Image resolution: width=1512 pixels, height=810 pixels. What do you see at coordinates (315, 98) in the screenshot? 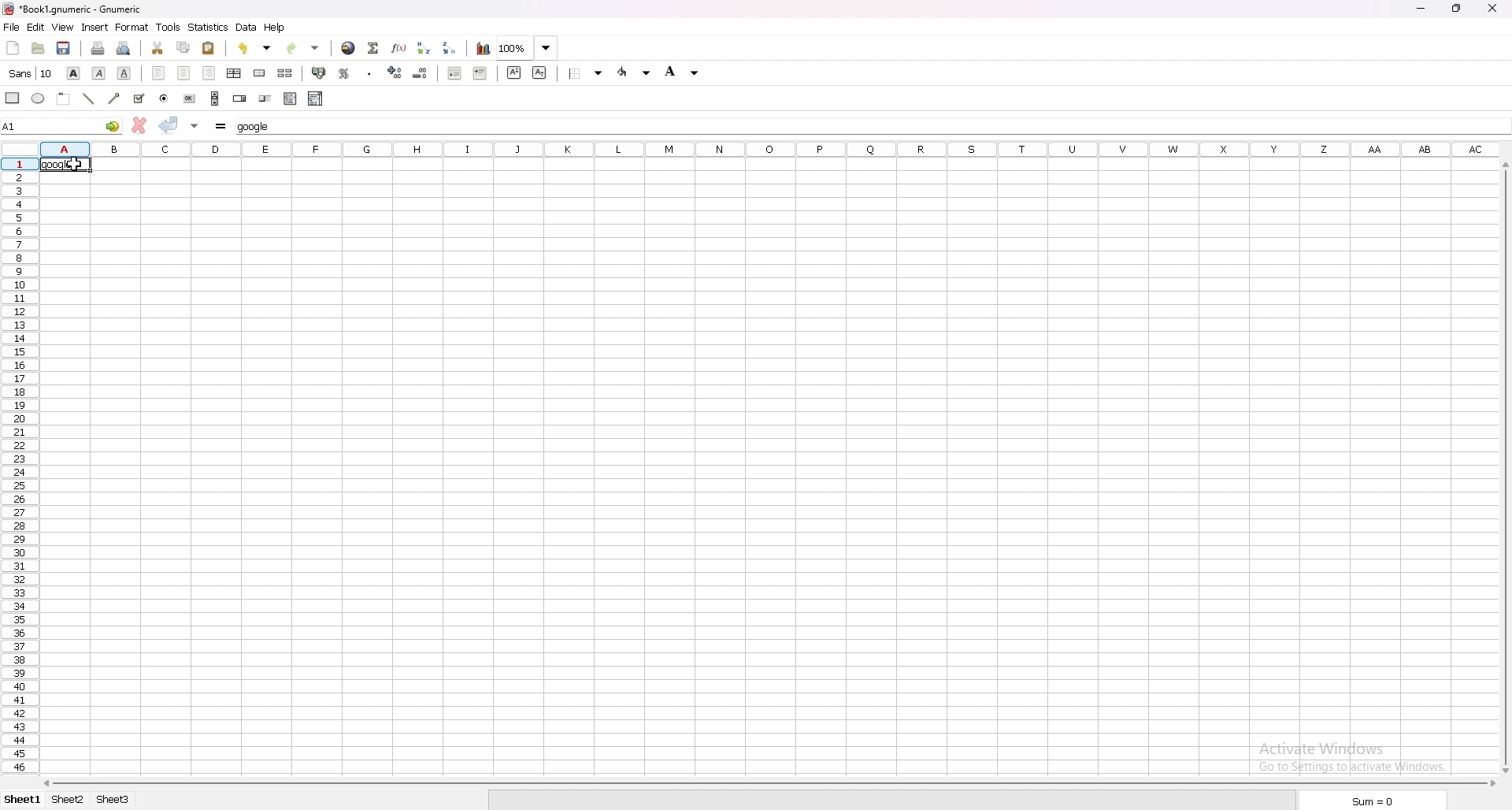
I see `combo box` at bounding box center [315, 98].